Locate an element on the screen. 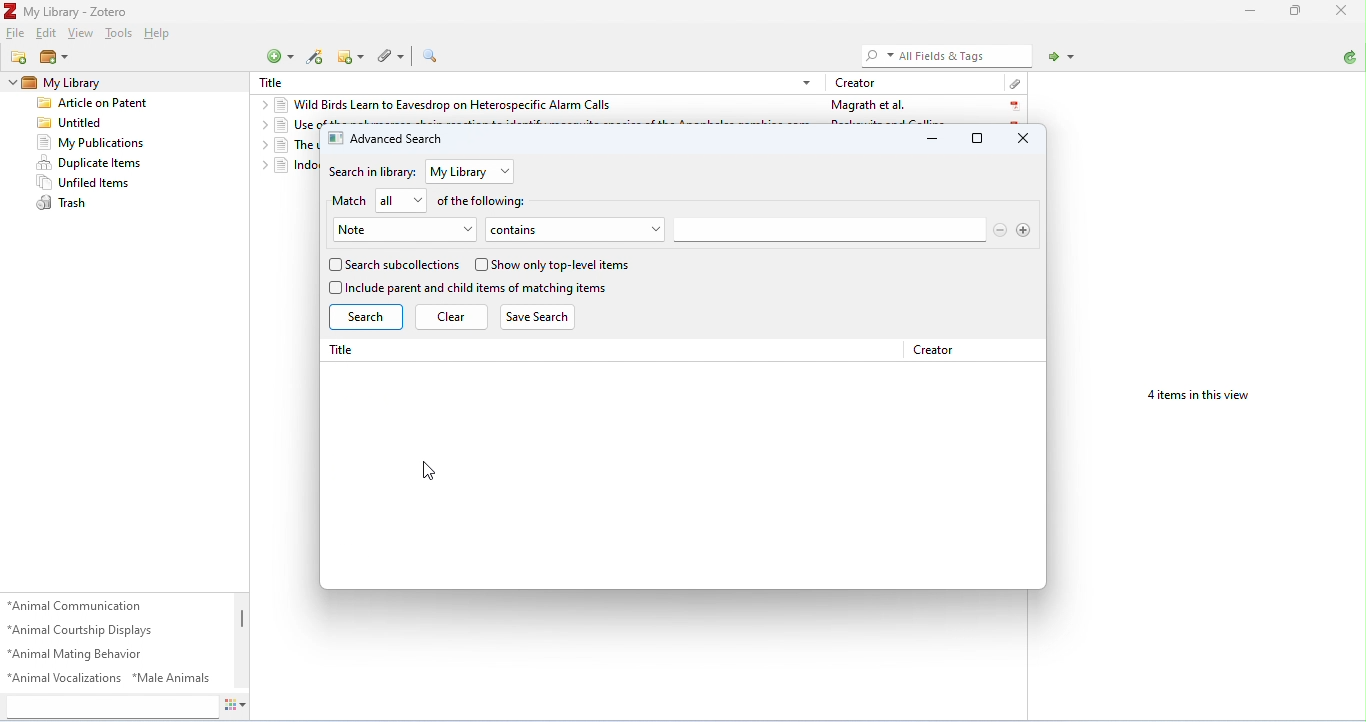 The image size is (1366, 722). all is located at coordinates (390, 200).